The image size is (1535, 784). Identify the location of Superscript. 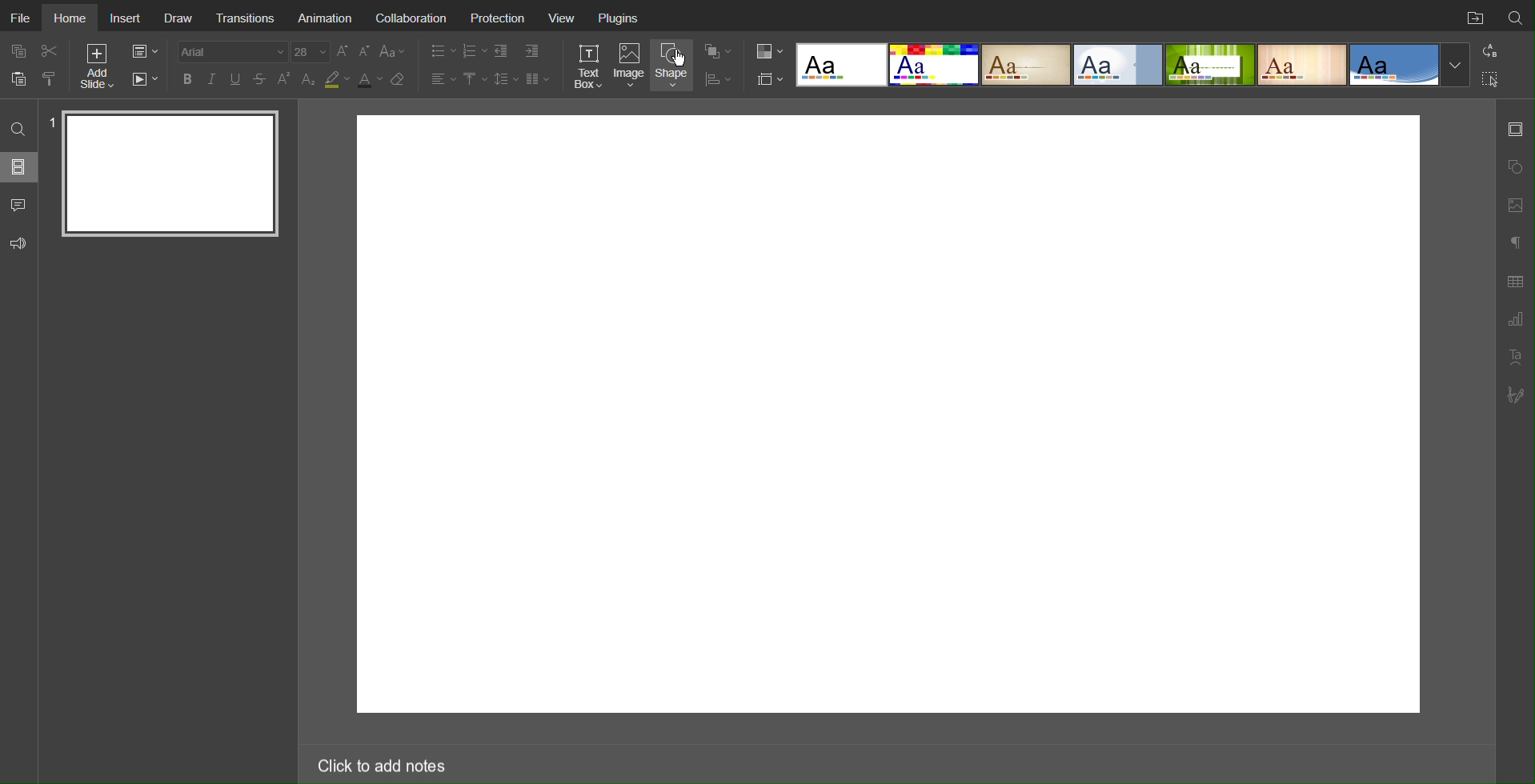
(285, 79).